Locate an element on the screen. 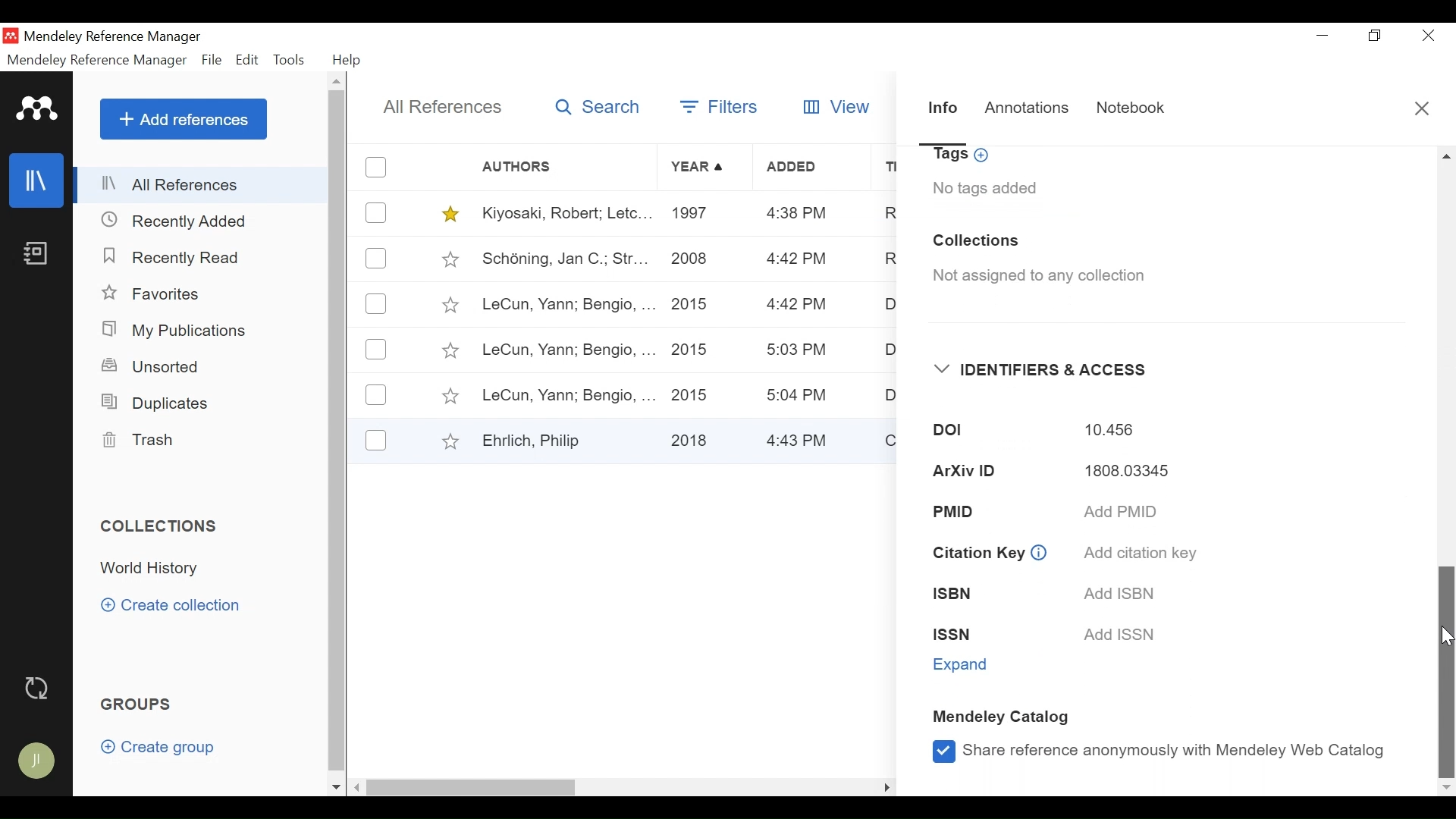 This screenshot has width=1456, height=819. (un)select favorite is located at coordinates (448, 351).